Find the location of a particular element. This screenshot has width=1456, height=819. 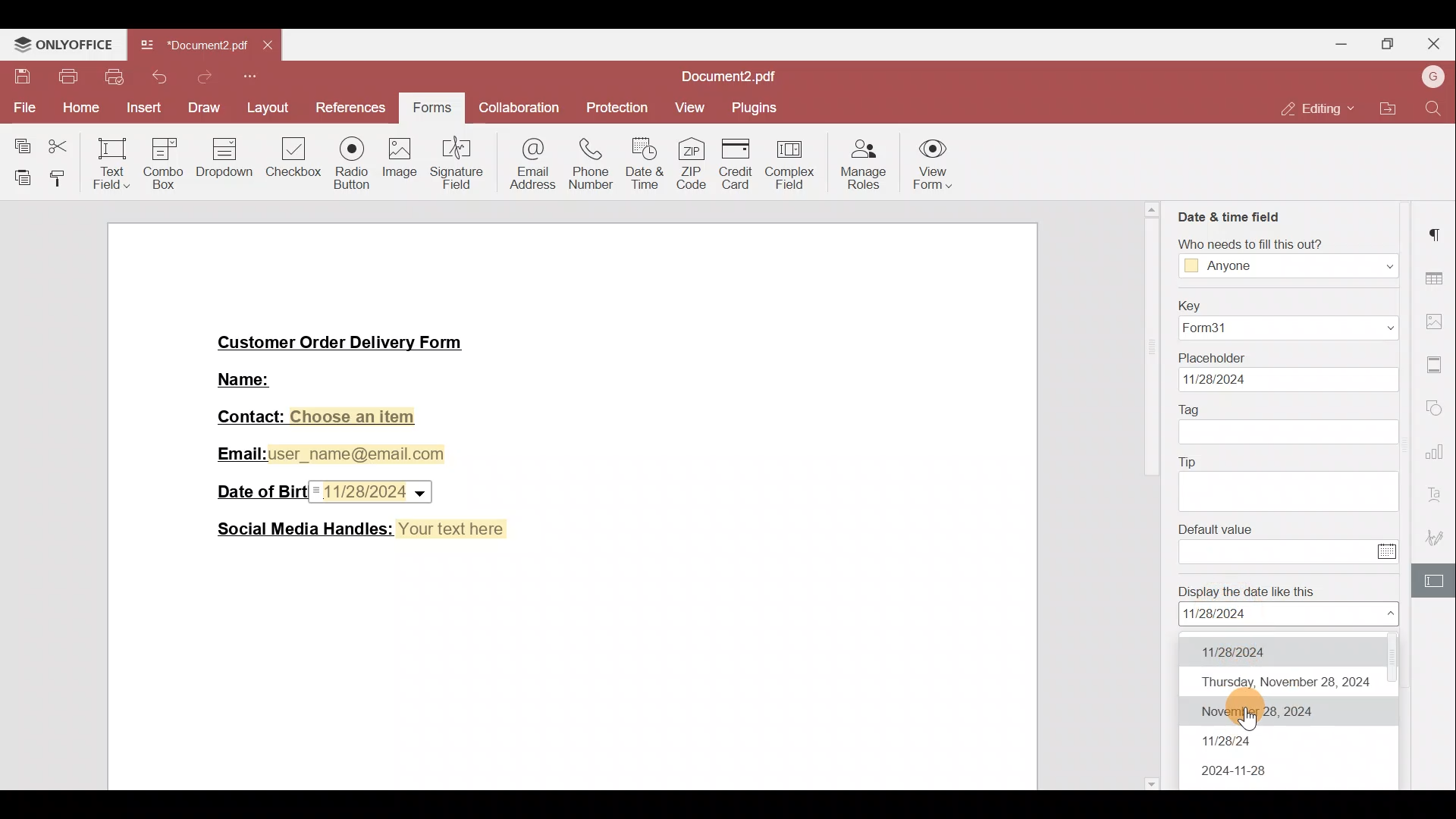

Key is located at coordinates (1191, 306).